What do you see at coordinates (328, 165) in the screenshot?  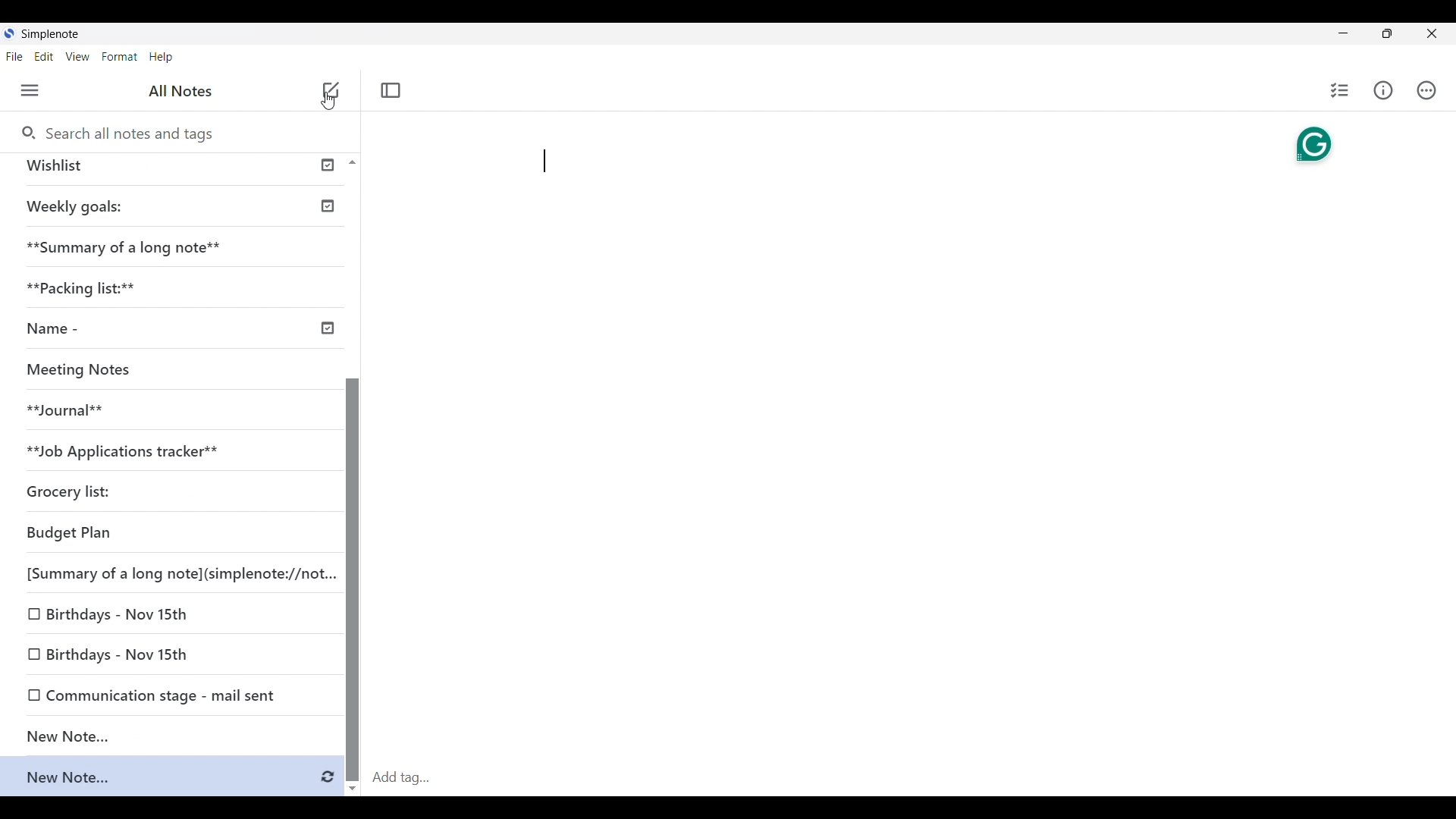 I see `published` at bounding box center [328, 165].